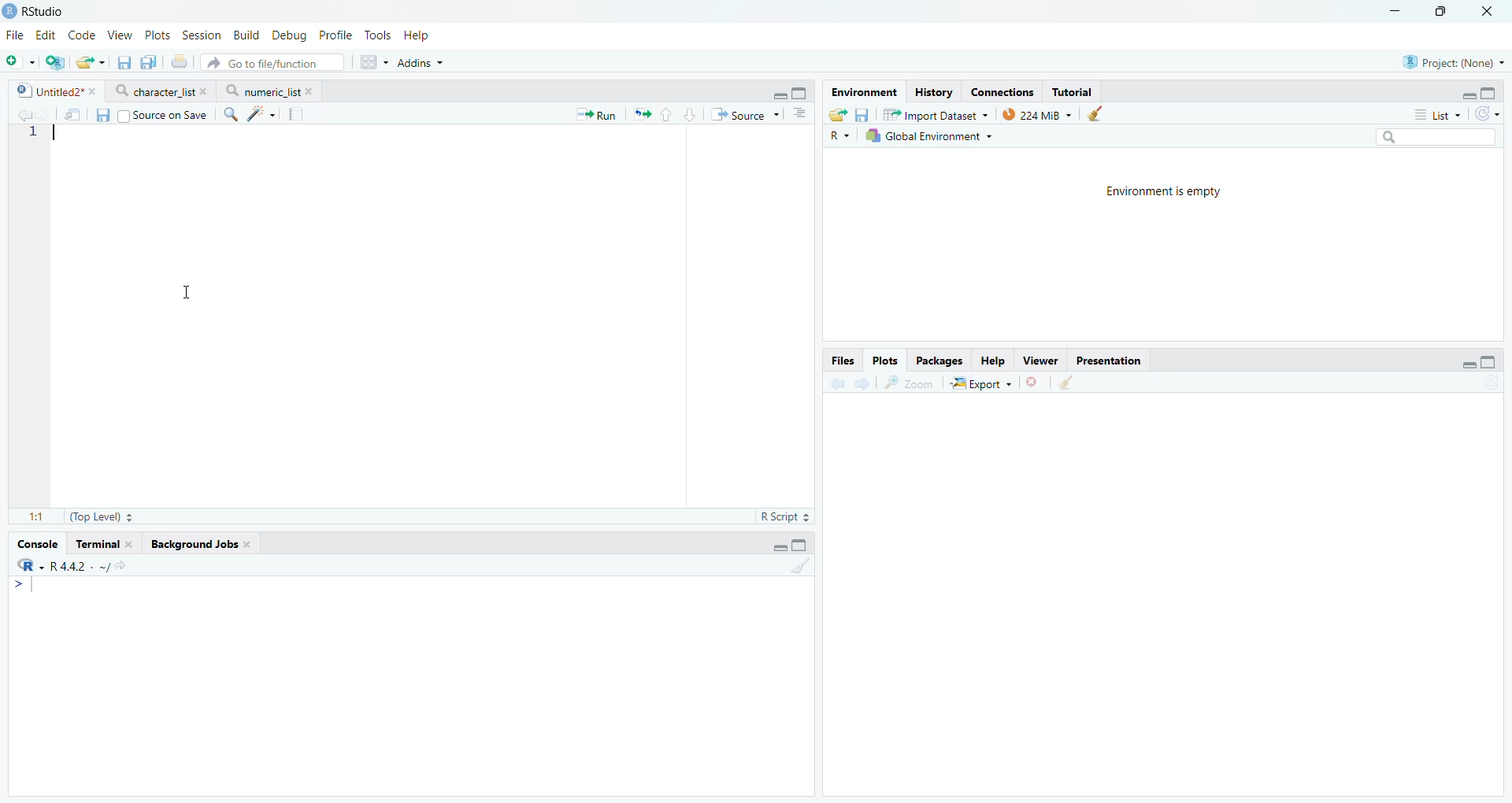 Image resolution: width=1512 pixels, height=803 pixels. I want to click on Hide, so click(1469, 364).